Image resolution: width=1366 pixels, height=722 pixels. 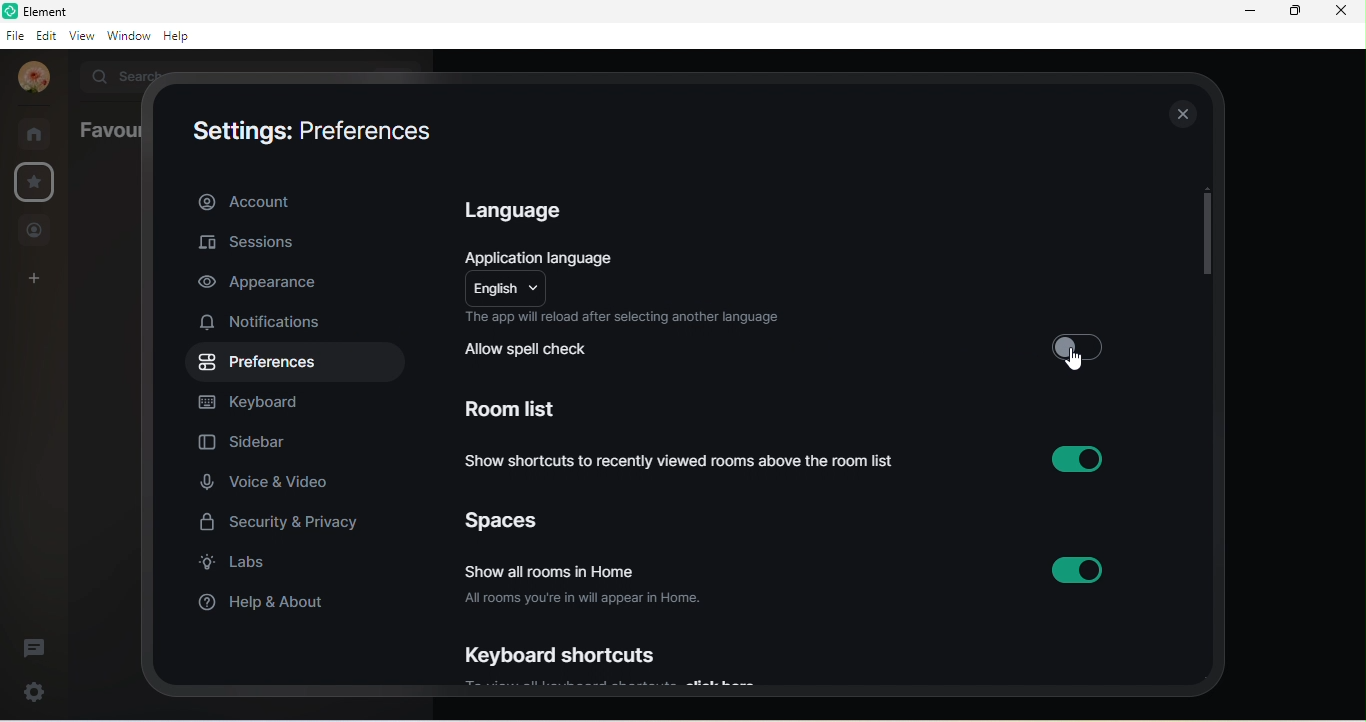 I want to click on show all rooms in home, so click(x=794, y=568).